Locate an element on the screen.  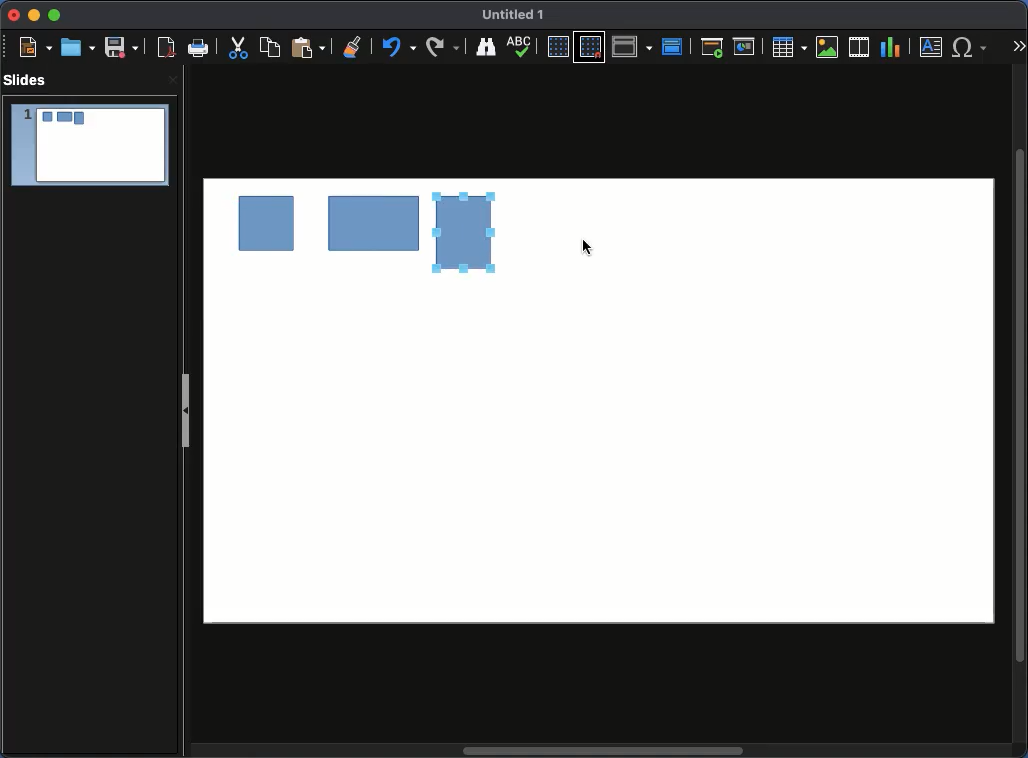
Selected ungrouped items is located at coordinates (466, 232).